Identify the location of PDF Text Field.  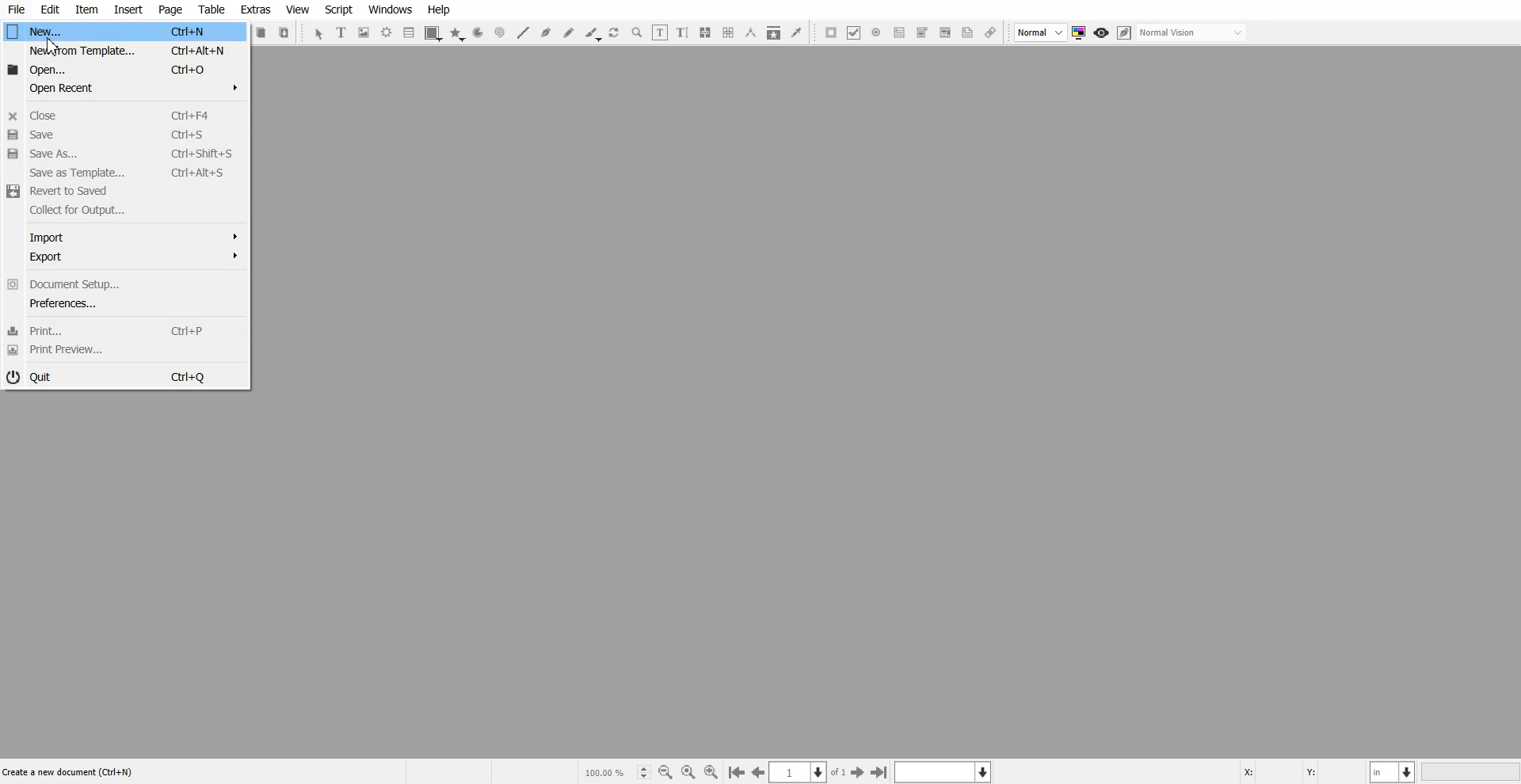
(899, 32).